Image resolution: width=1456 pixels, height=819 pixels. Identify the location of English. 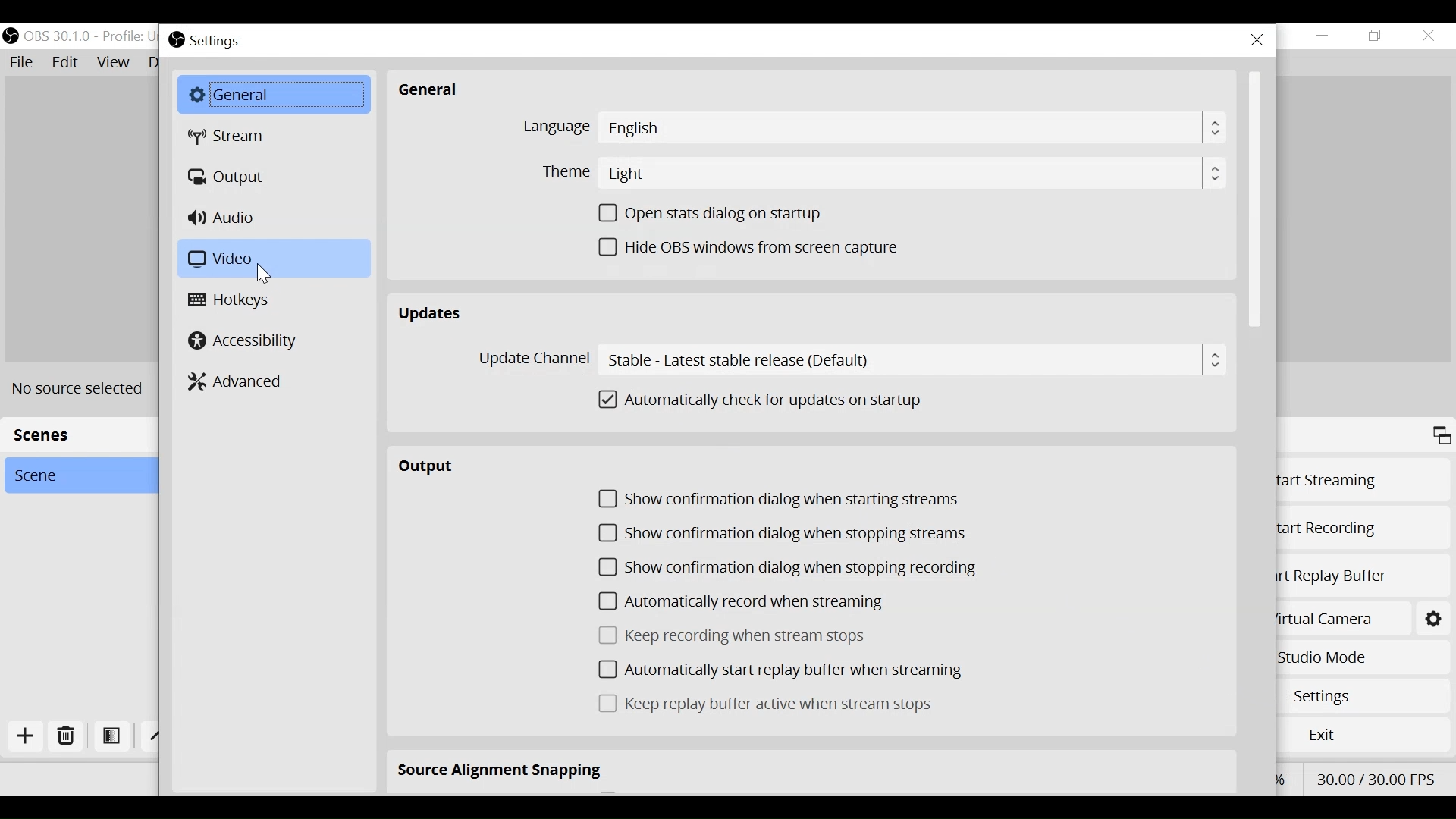
(912, 128).